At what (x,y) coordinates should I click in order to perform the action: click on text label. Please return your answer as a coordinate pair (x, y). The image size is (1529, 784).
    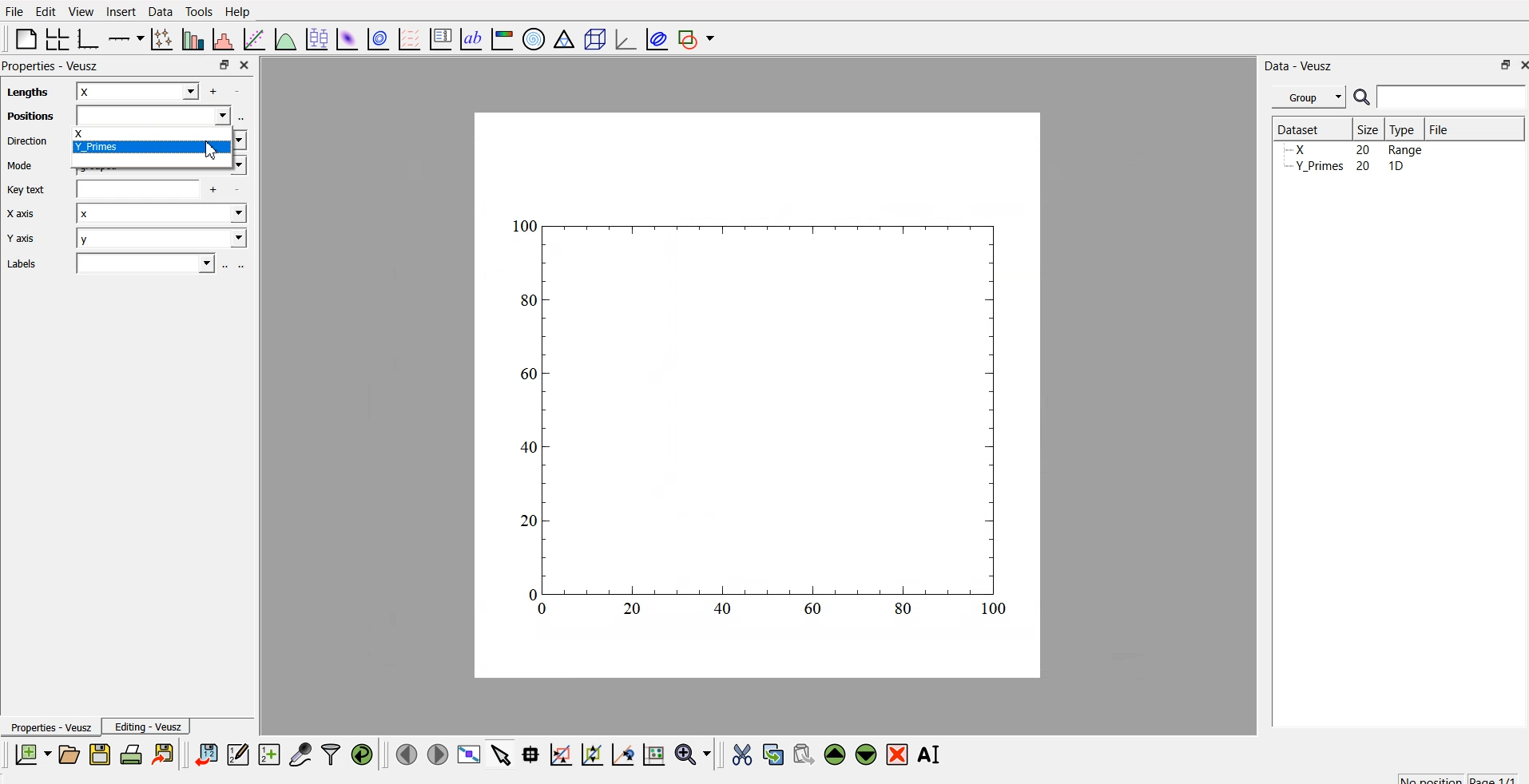
    Looking at the image, I should click on (469, 39).